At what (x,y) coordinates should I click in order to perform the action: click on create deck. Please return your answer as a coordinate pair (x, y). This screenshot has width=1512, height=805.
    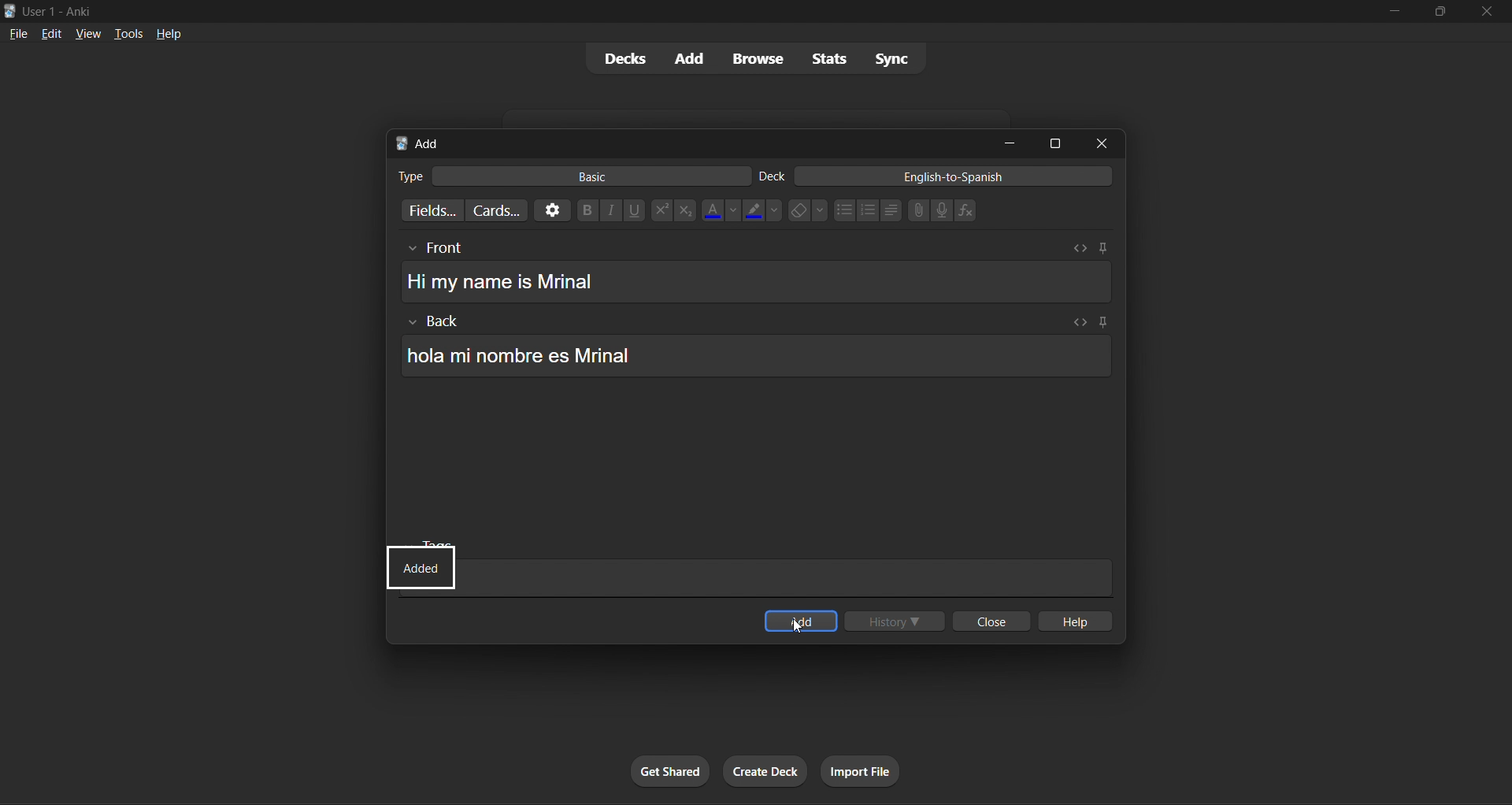
    Looking at the image, I should click on (762, 769).